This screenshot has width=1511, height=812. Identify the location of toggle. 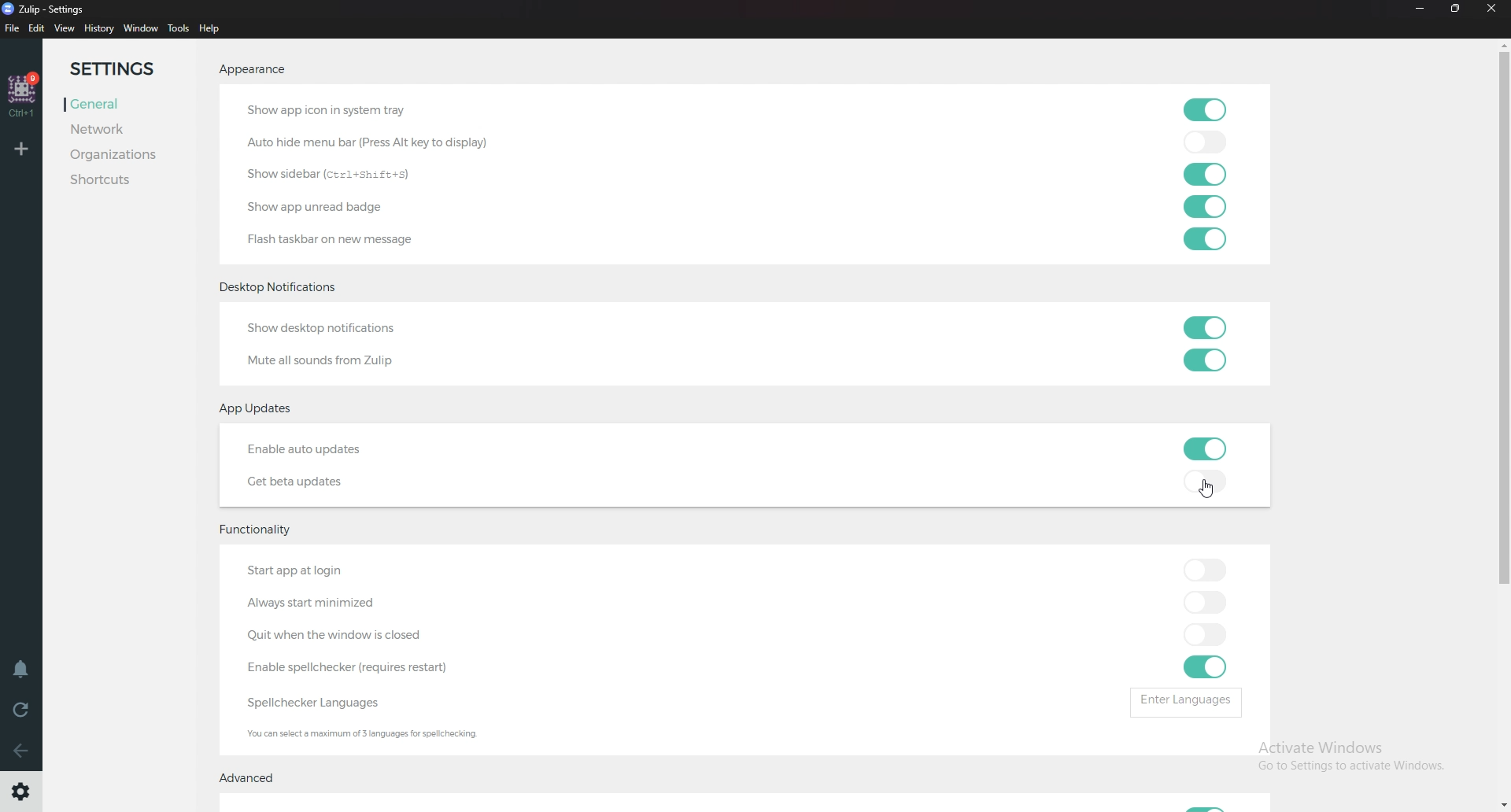
(1206, 448).